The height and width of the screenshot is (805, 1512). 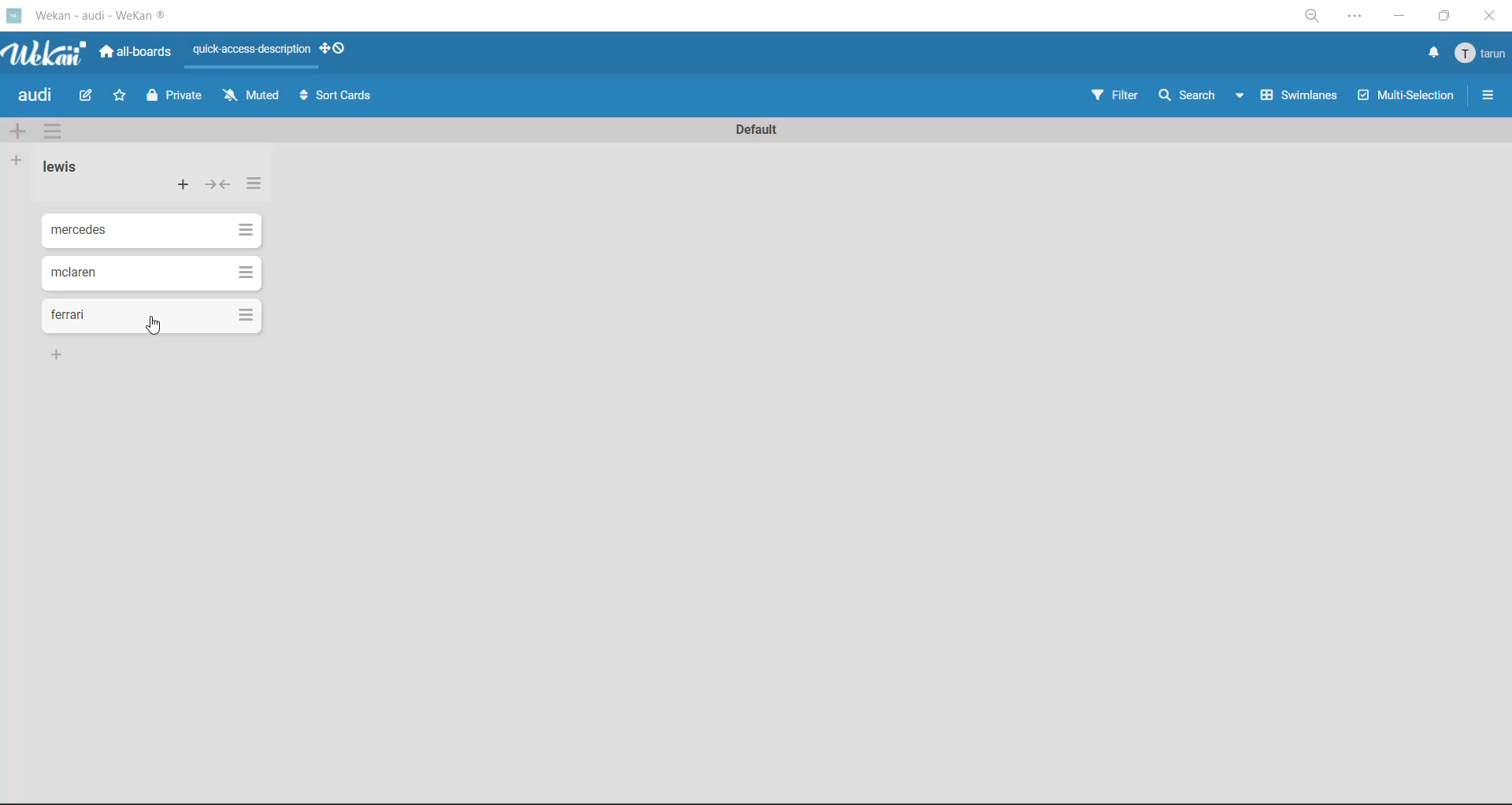 What do you see at coordinates (1398, 17) in the screenshot?
I see `minimize` at bounding box center [1398, 17].